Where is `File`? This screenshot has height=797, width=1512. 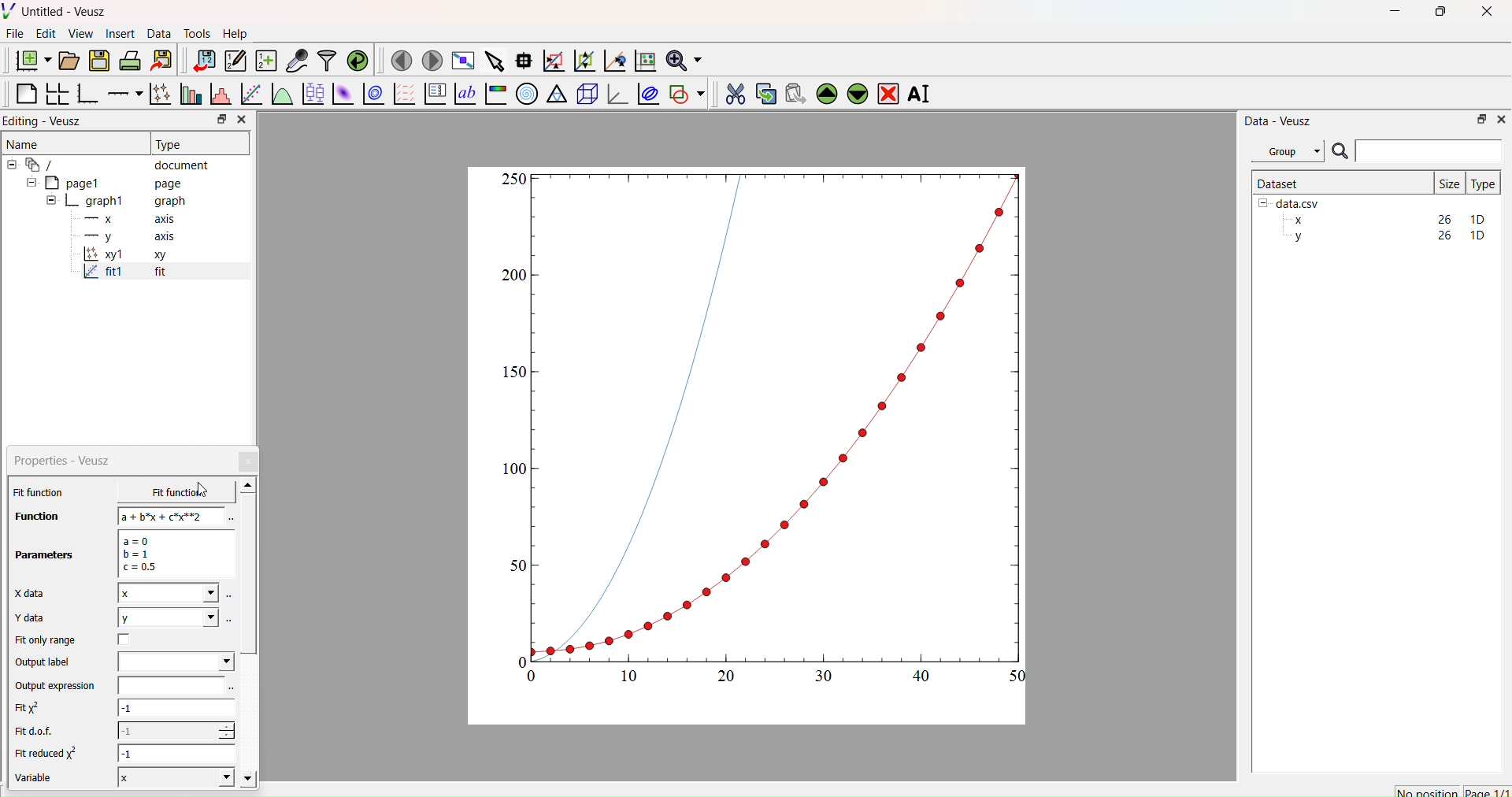 File is located at coordinates (15, 33).